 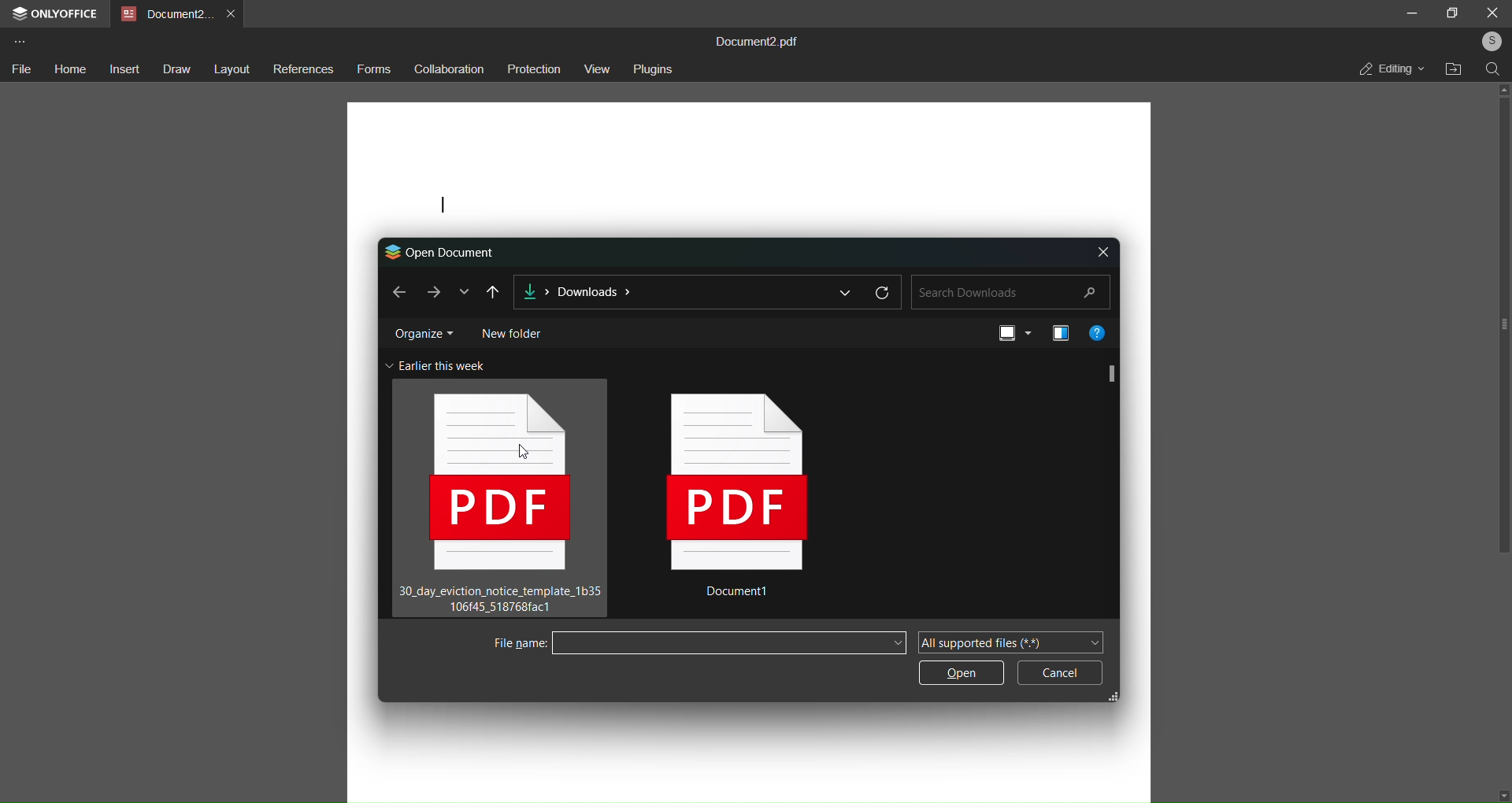 What do you see at coordinates (1103, 250) in the screenshot?
I see `close dialog` at bounding box center [1103, 250].